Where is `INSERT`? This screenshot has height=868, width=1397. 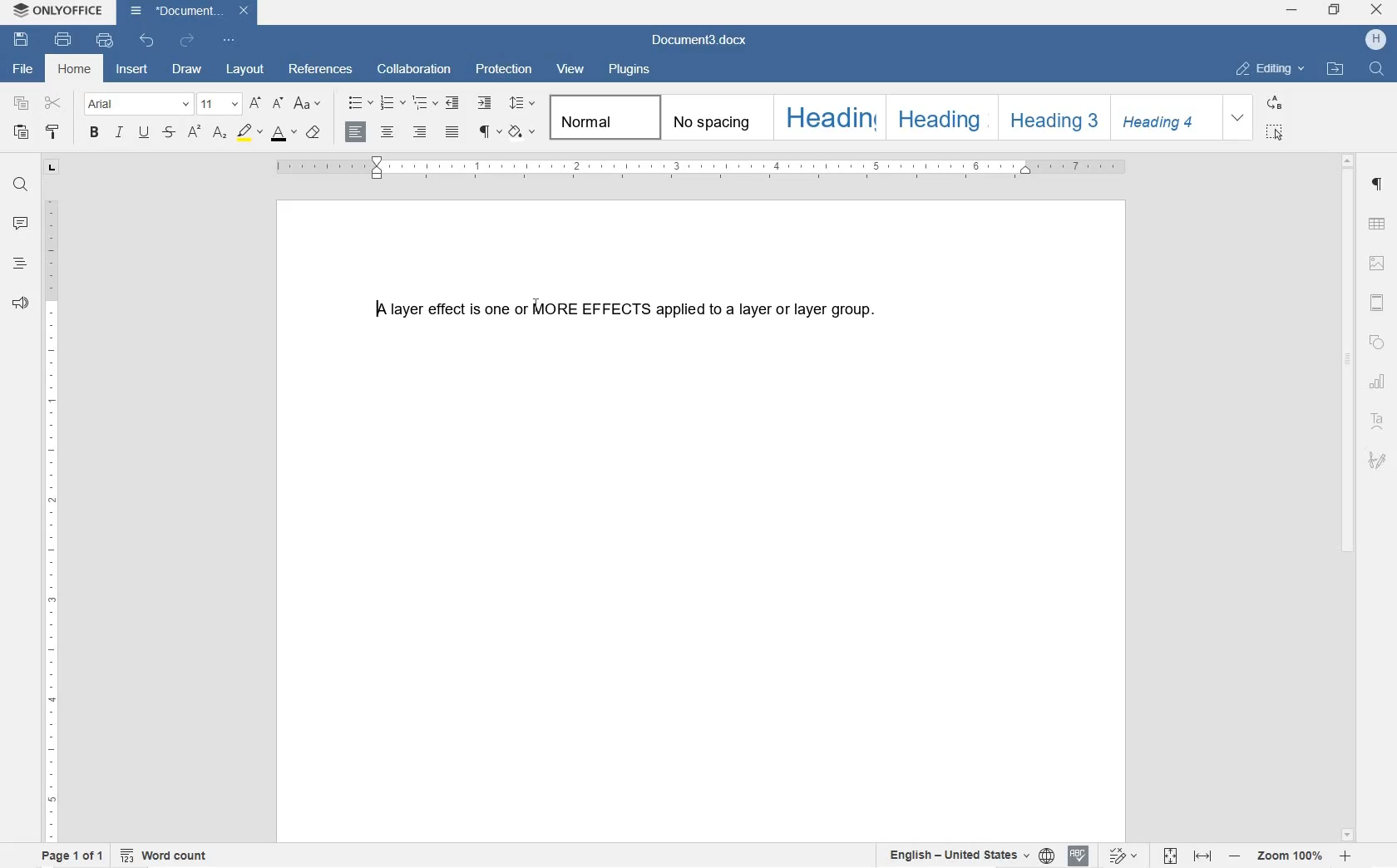
INSERT is located at coordinates (133, 72).